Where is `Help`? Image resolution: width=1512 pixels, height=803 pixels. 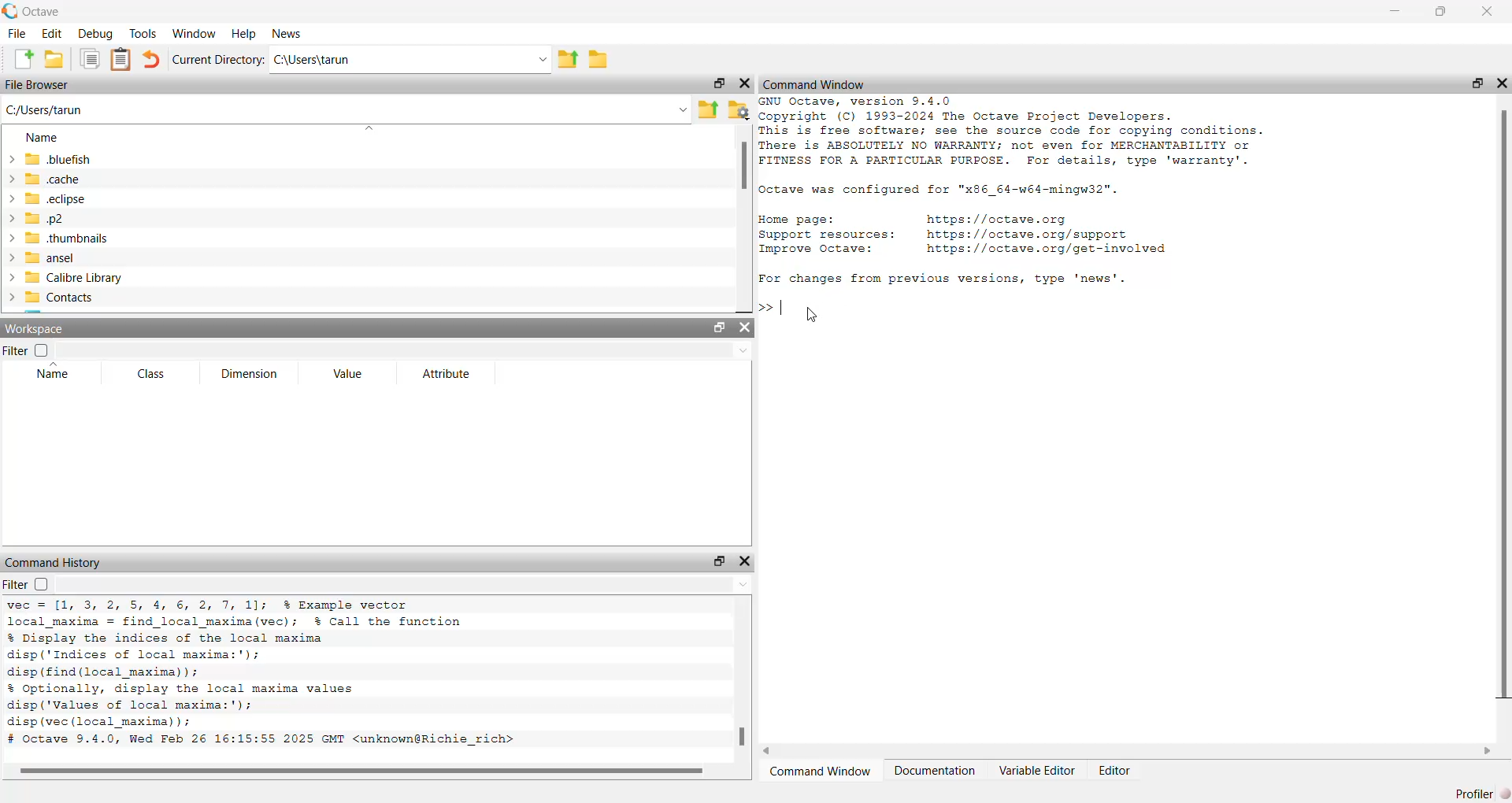
Help is located at coordinates (244, 34).